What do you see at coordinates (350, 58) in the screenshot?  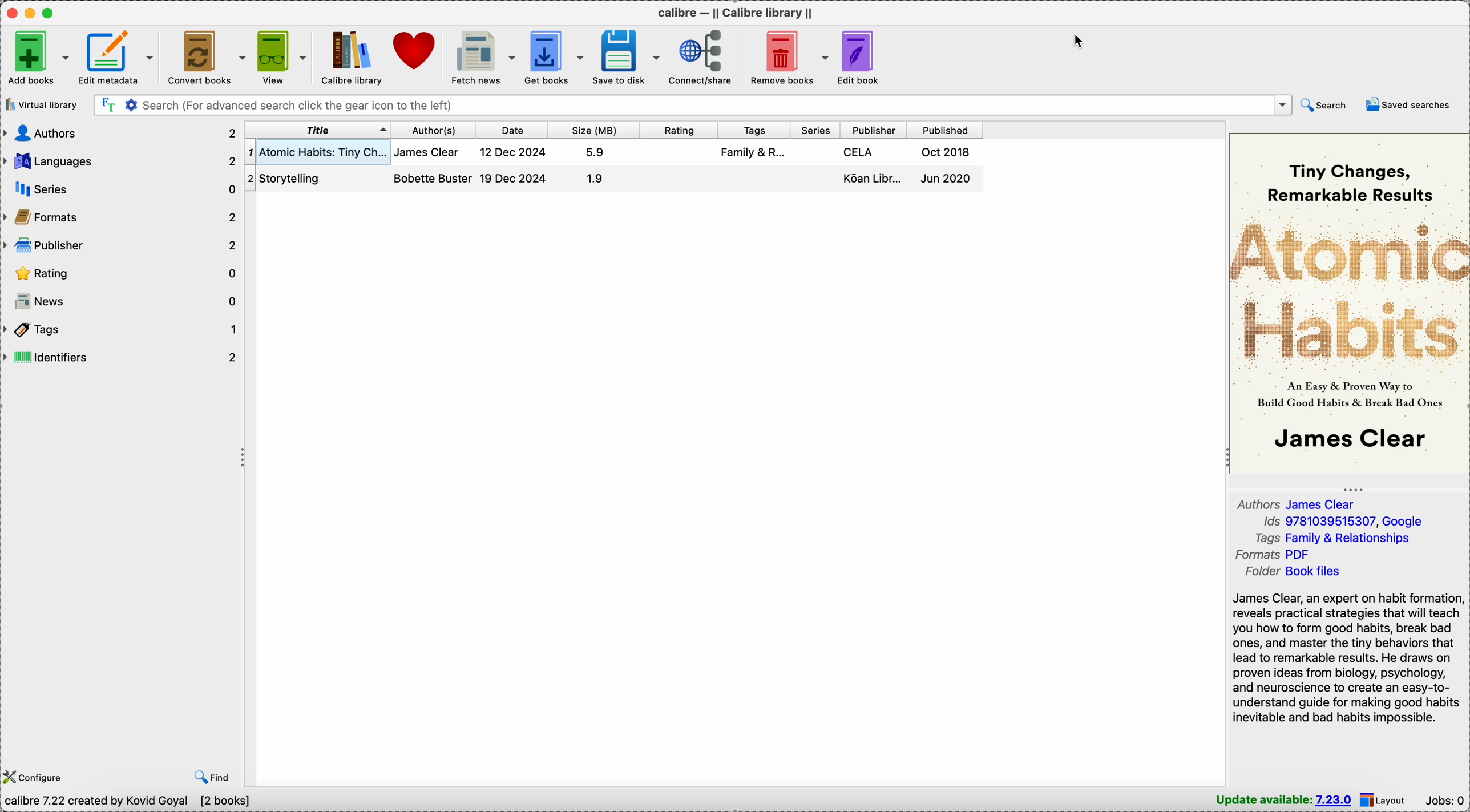 I see `Calibre library` at bounding box center [350, 58].